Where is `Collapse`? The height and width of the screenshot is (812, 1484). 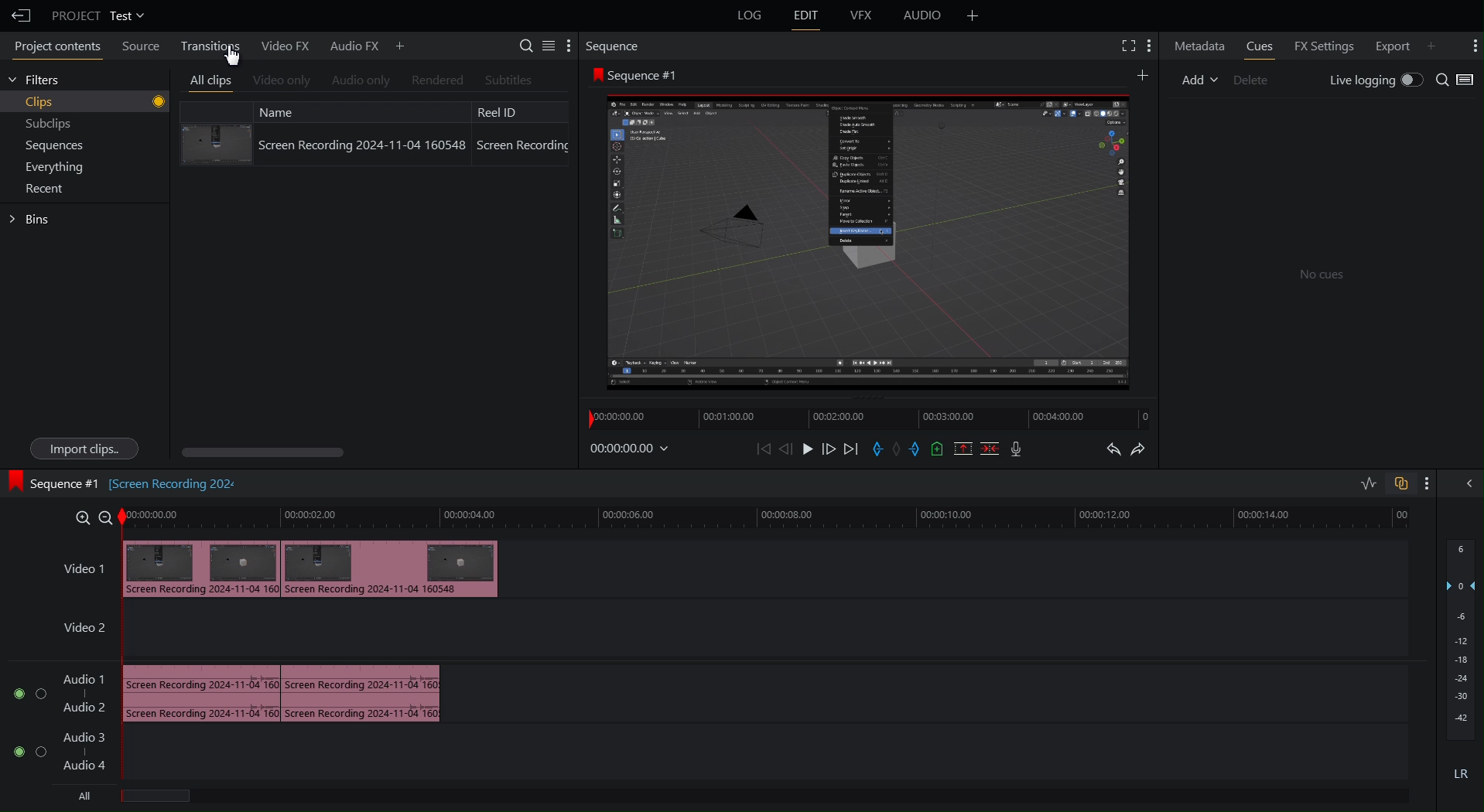
Collapse is located at coordinates (1467, 483).